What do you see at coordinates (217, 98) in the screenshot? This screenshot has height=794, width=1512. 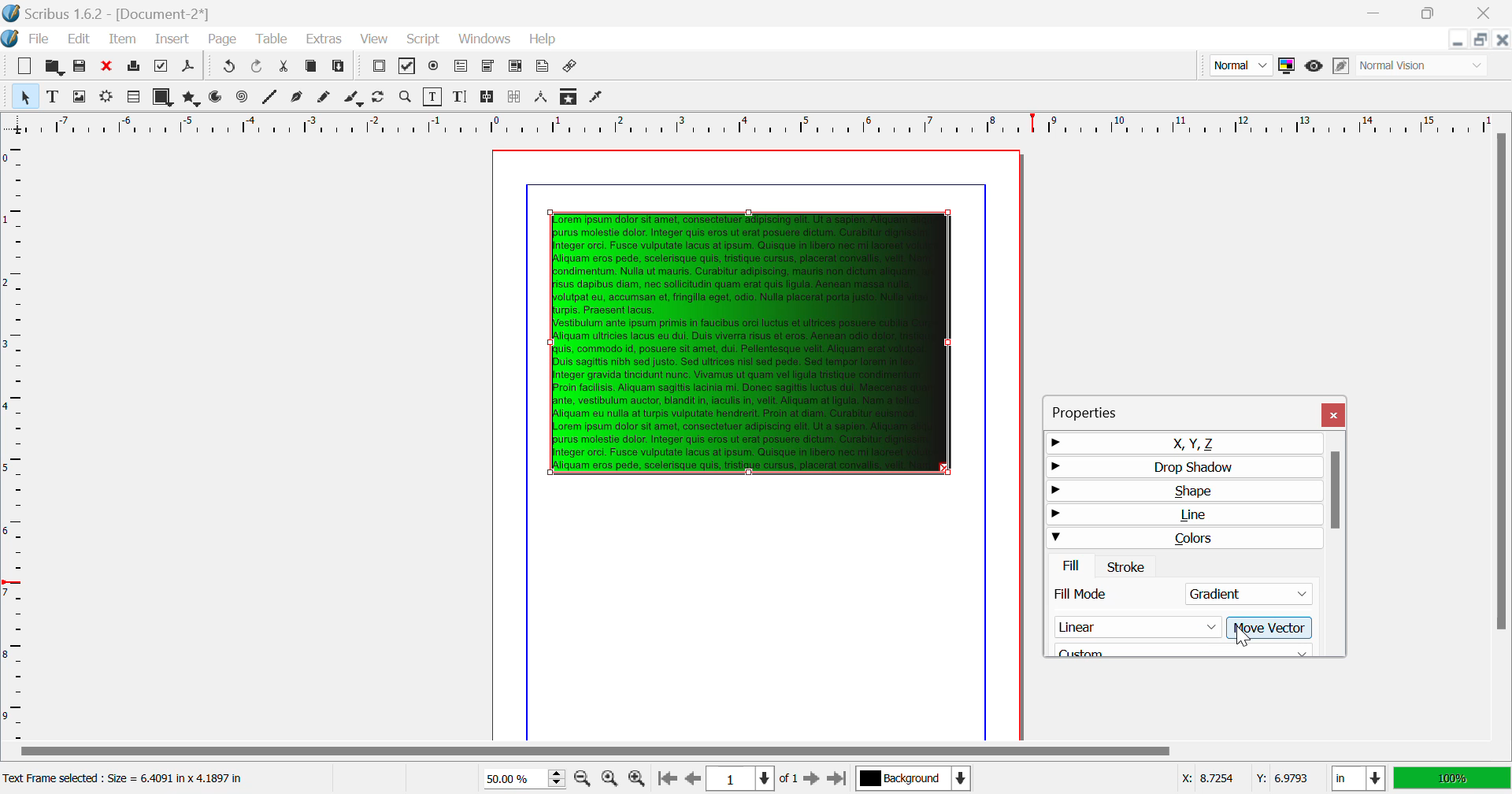 I see `Arcs` at bounding box center [217, 98].